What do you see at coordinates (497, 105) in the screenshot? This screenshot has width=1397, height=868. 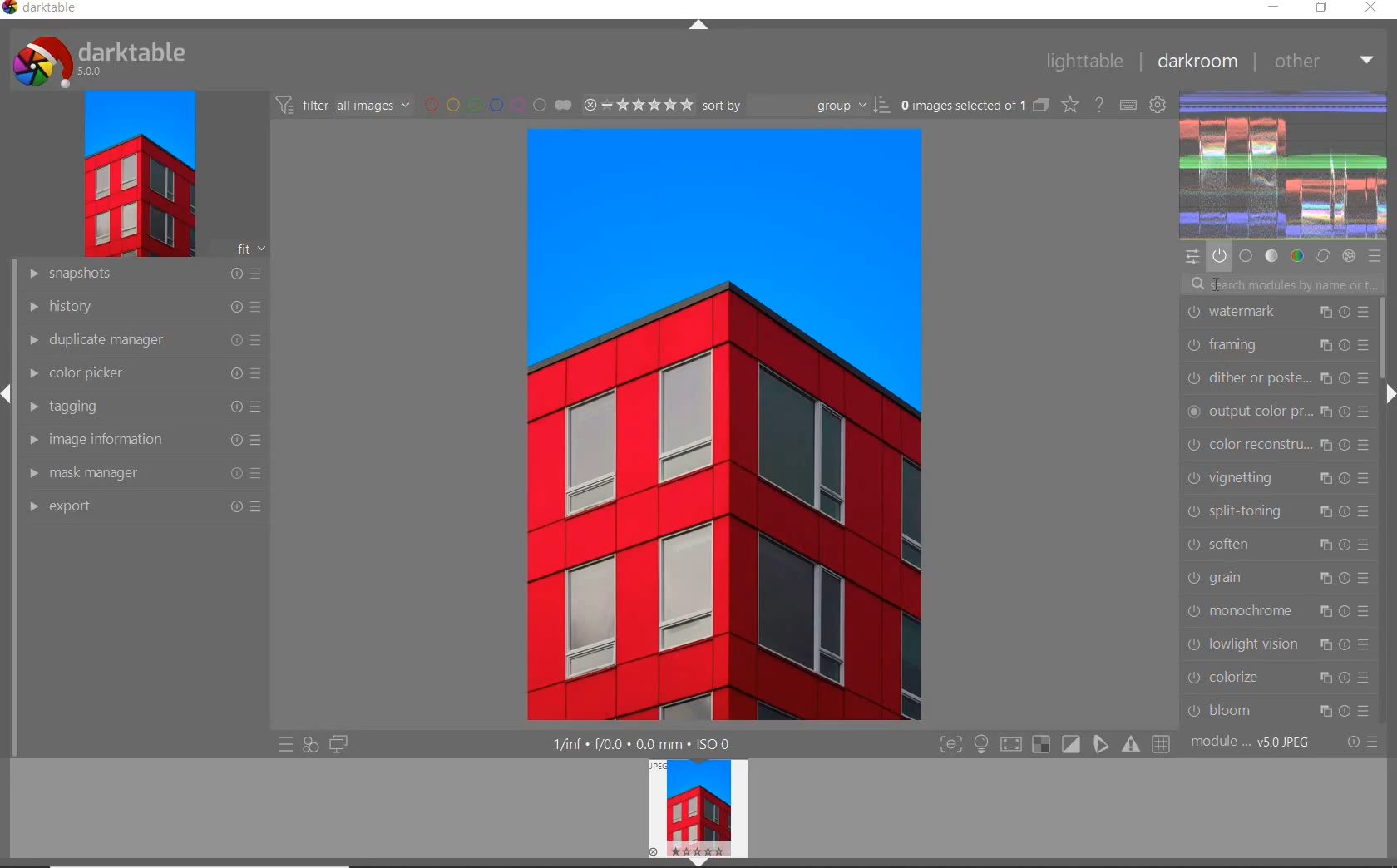 I see `filter by image color label` at bounding box center [497, 105].